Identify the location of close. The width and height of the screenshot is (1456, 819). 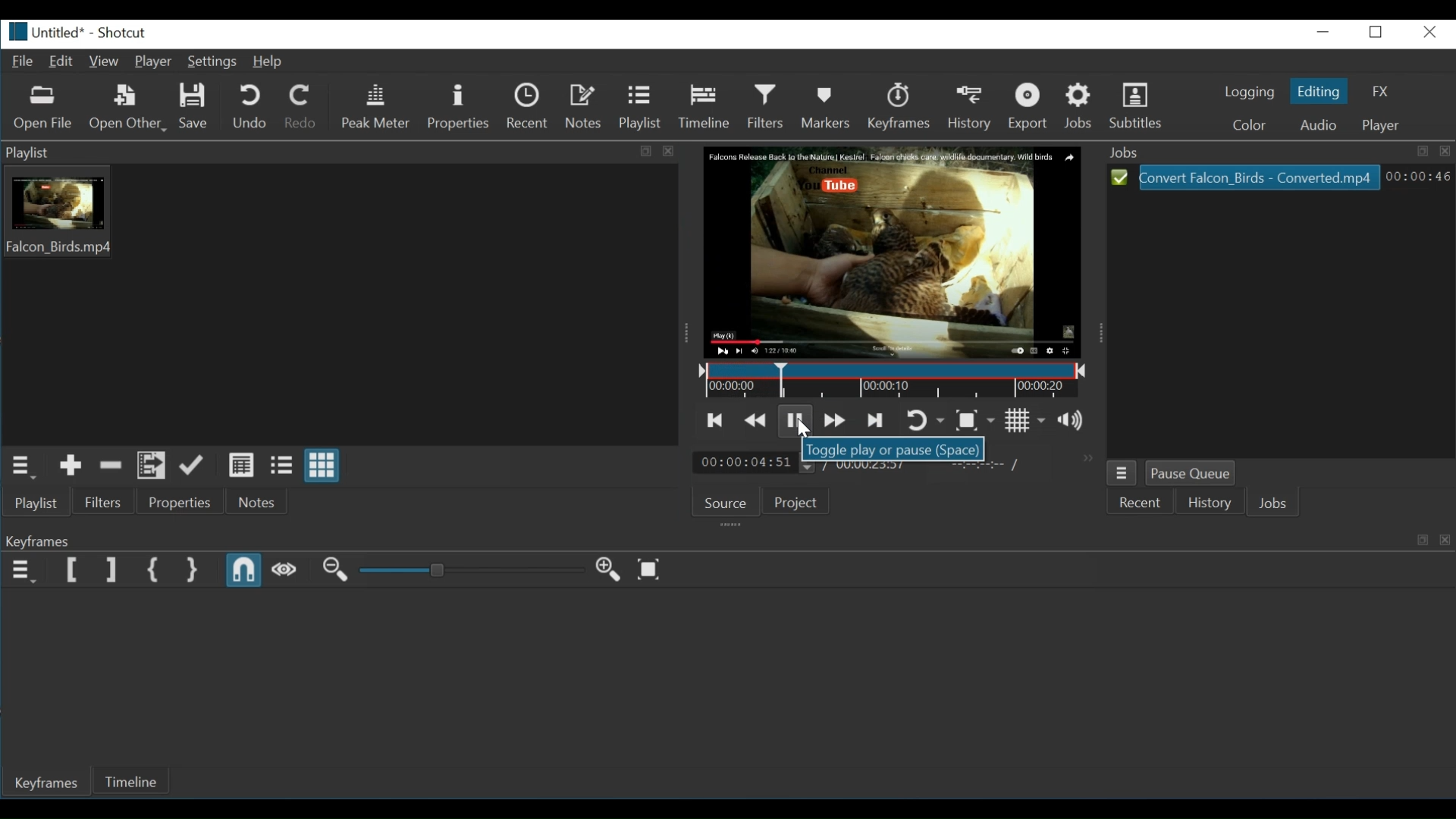
(1431, 32).